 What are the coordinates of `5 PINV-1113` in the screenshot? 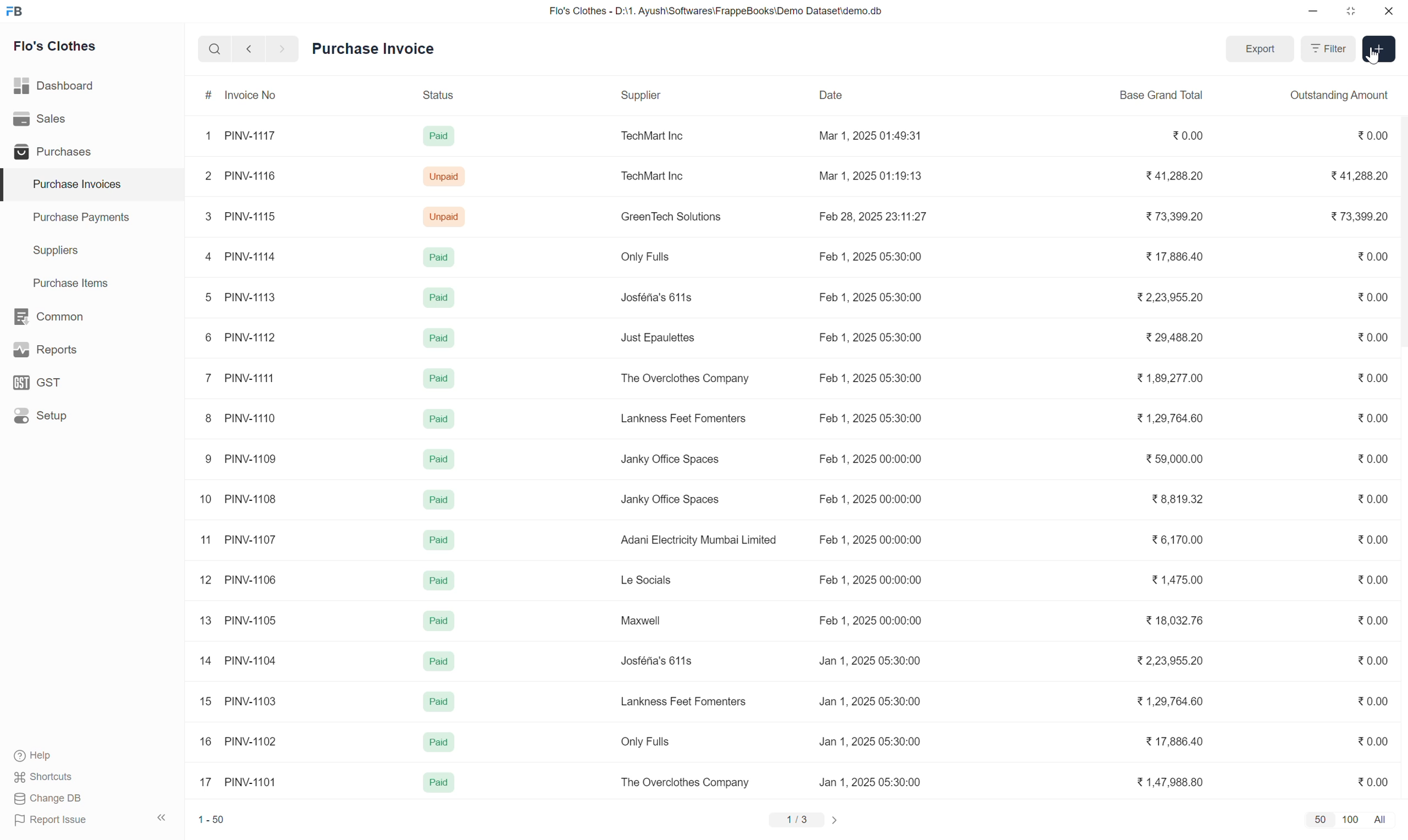 It's located at (242, 297).